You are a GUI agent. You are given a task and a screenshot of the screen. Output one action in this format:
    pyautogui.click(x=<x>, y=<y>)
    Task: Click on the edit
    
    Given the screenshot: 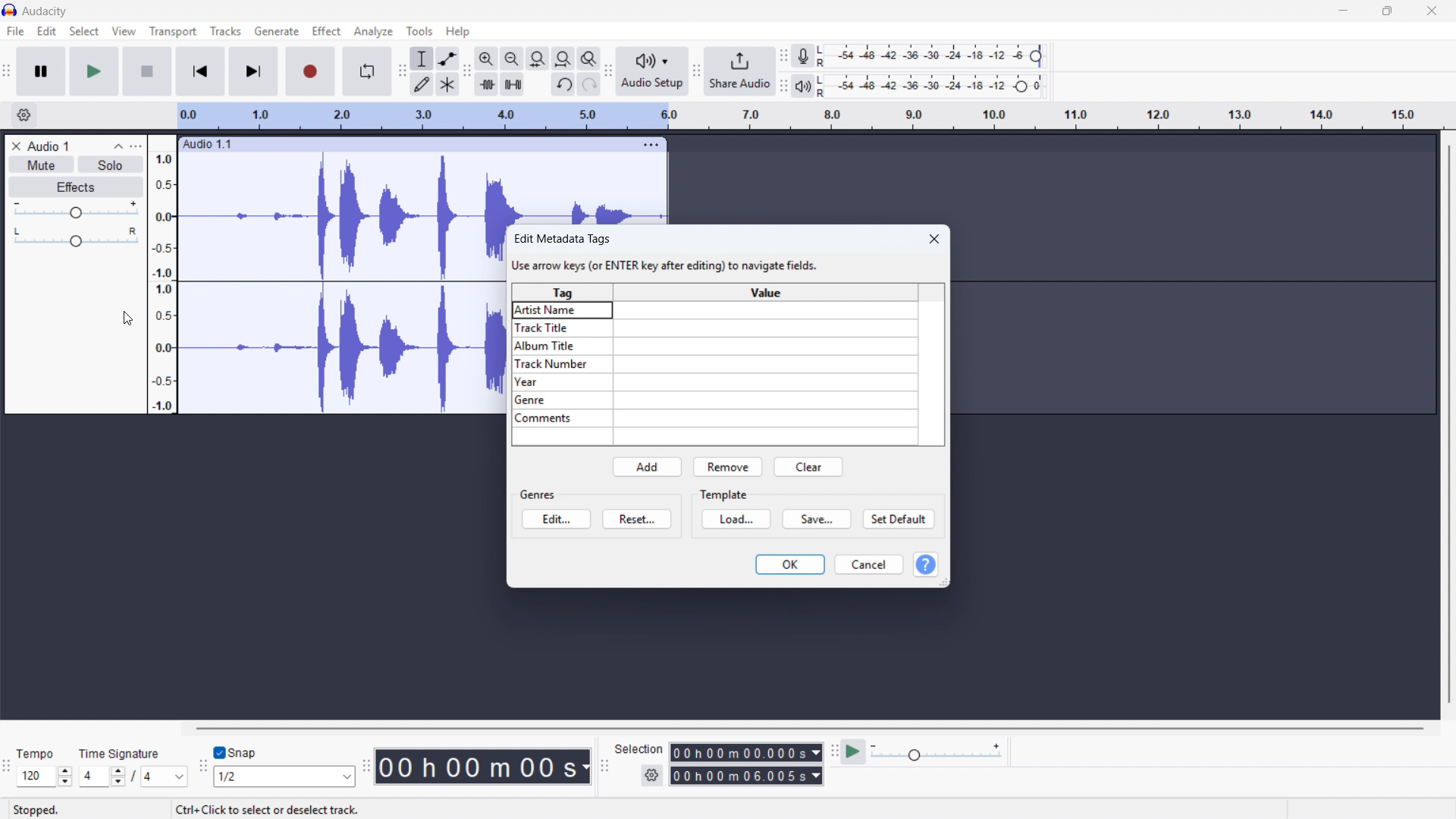 What is the action you would take?
    pyautogui.click(x=556, y=519)
    